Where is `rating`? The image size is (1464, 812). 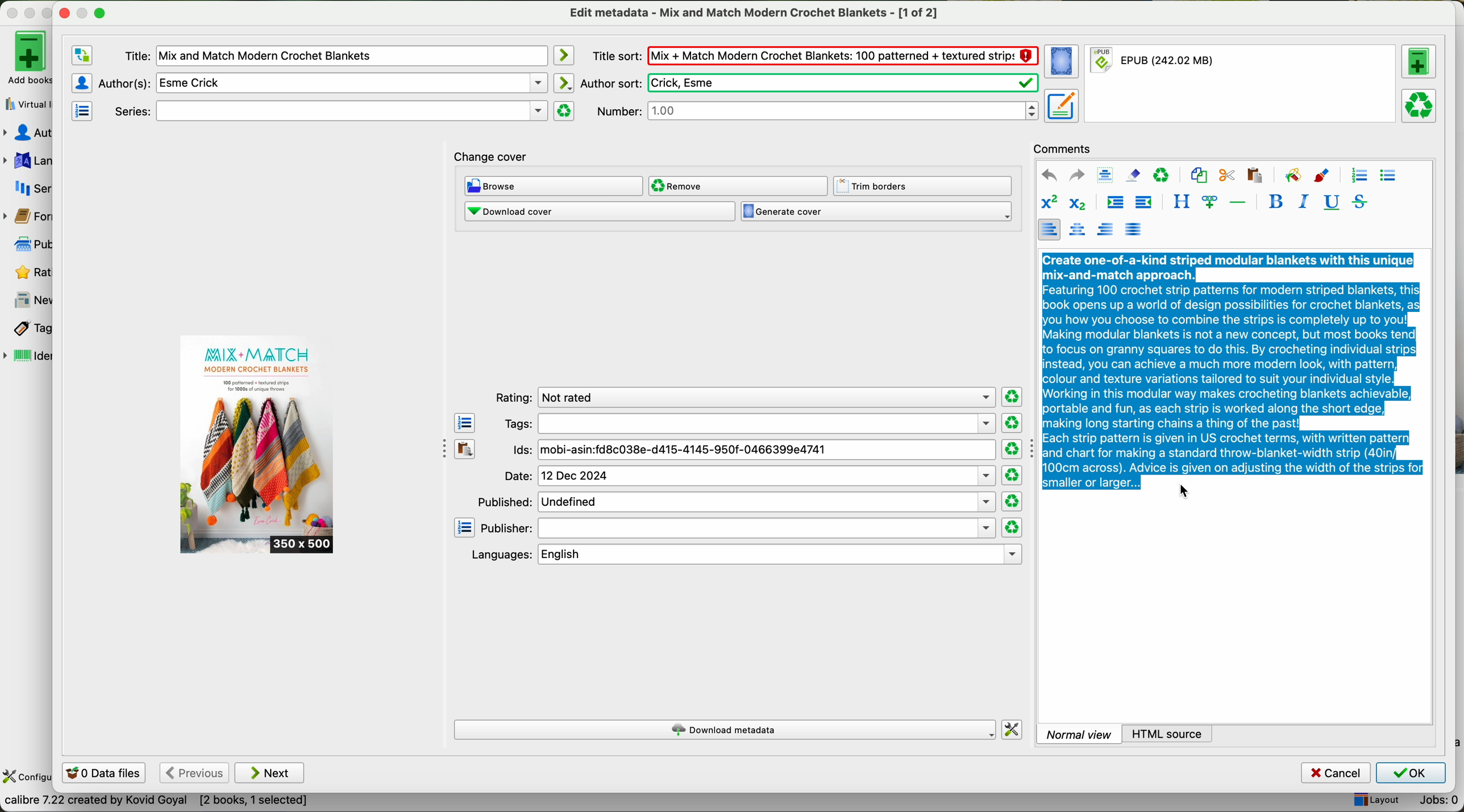
rating is located at coordinates (742, 398).